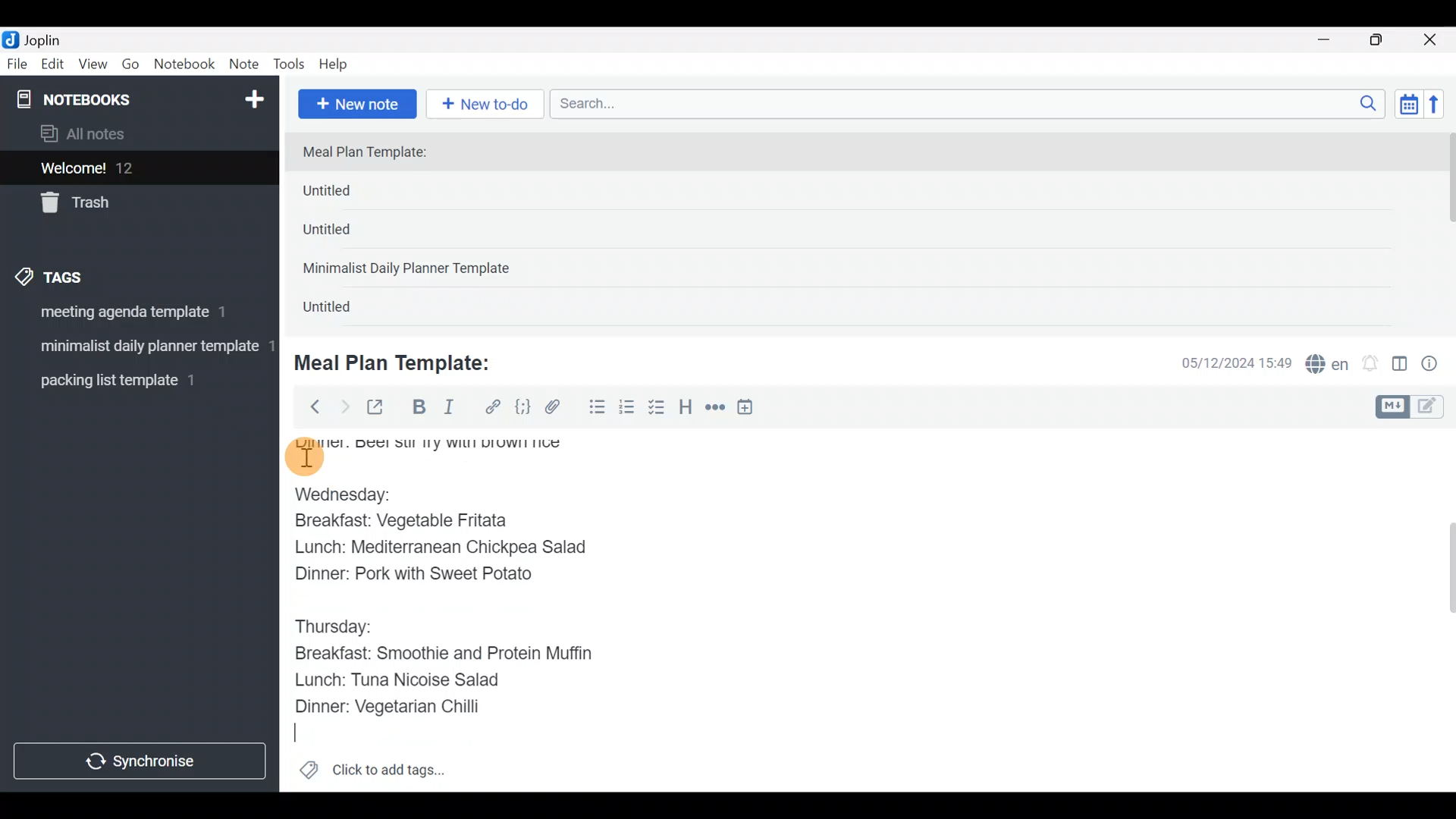  I want to click on Tag 2, so click(139, 348).